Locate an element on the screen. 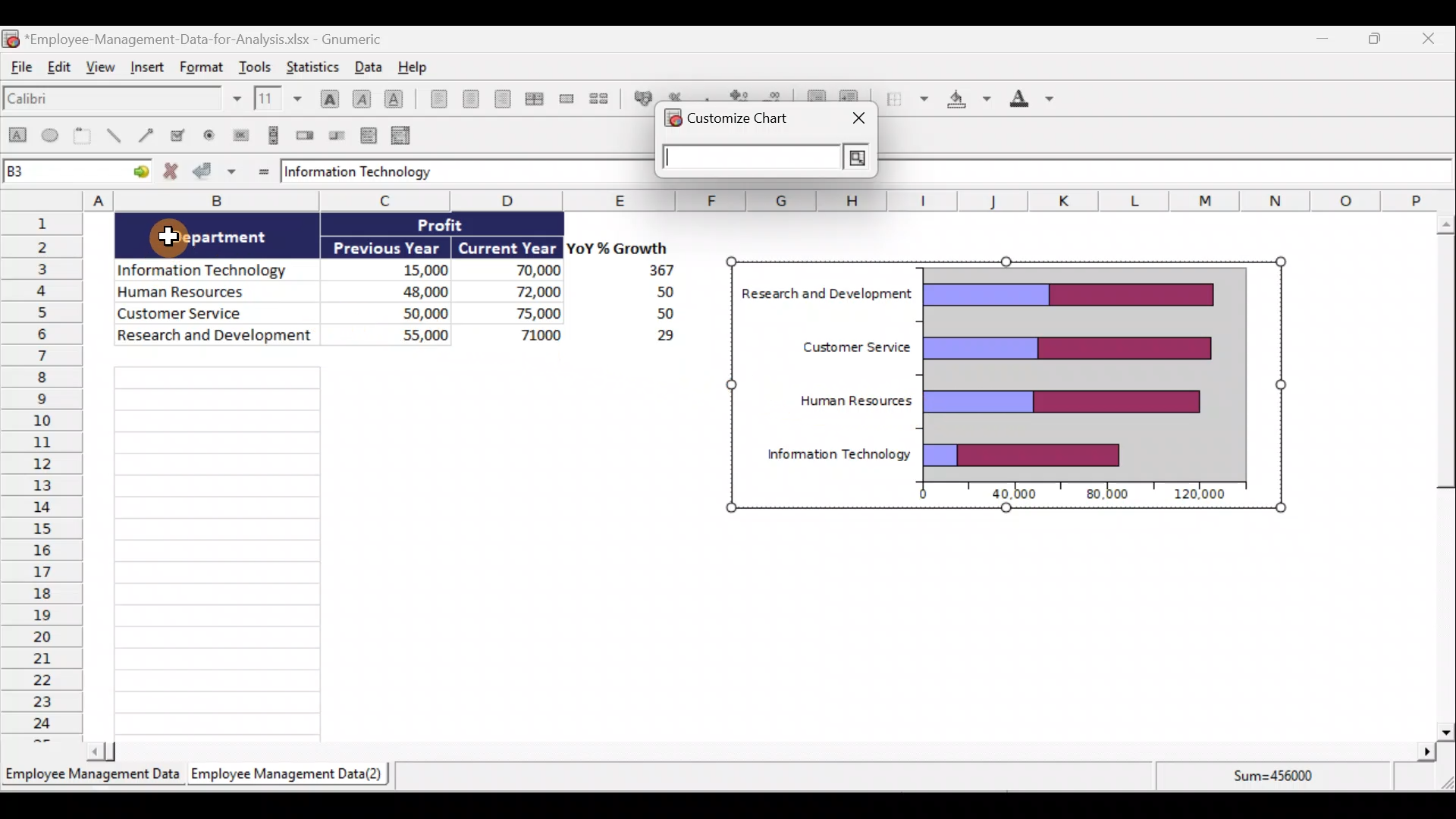  Data is located at coordinates (367, 66).